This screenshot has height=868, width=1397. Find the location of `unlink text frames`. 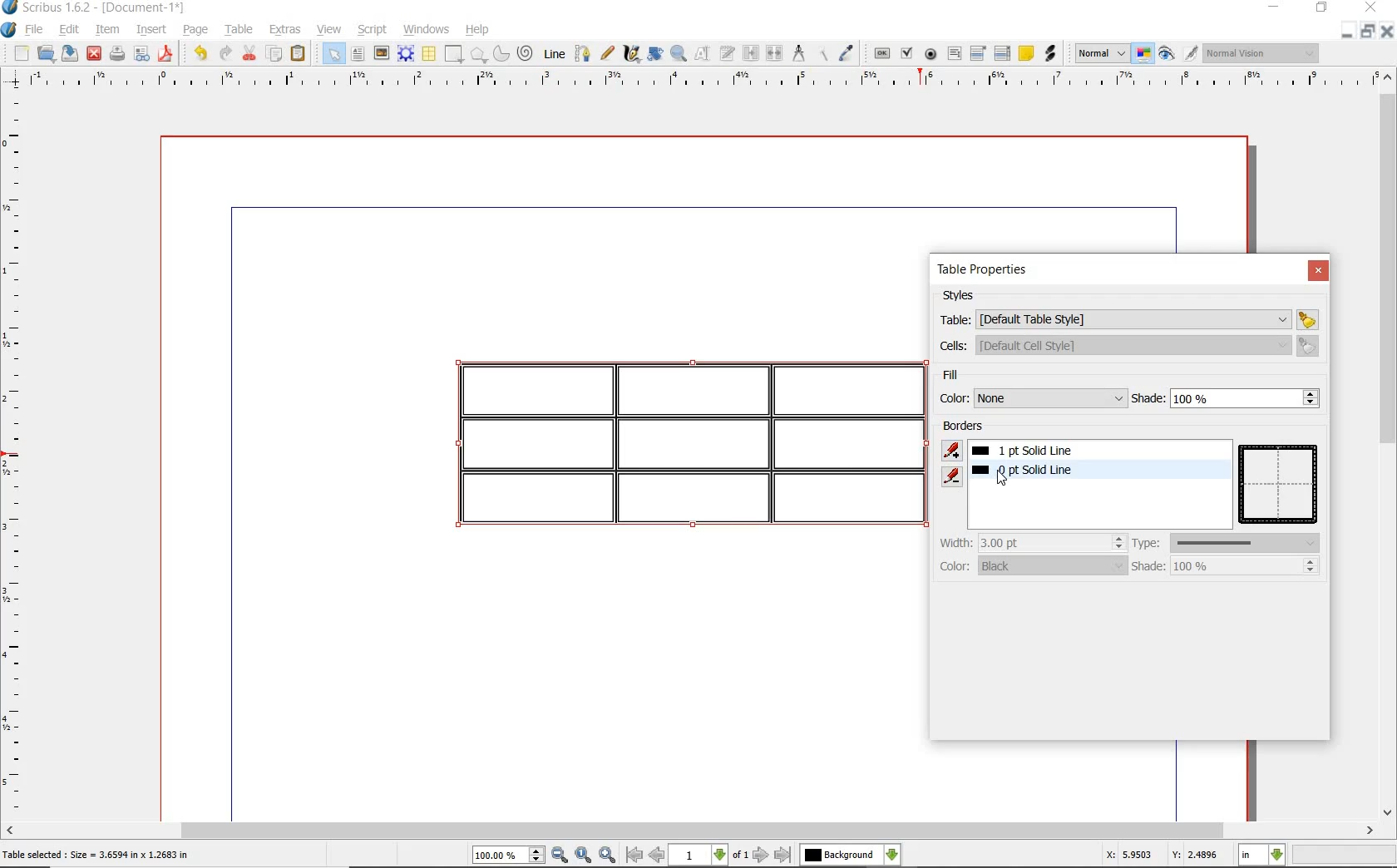

unlink text frames is located at coordinates (775, 53).